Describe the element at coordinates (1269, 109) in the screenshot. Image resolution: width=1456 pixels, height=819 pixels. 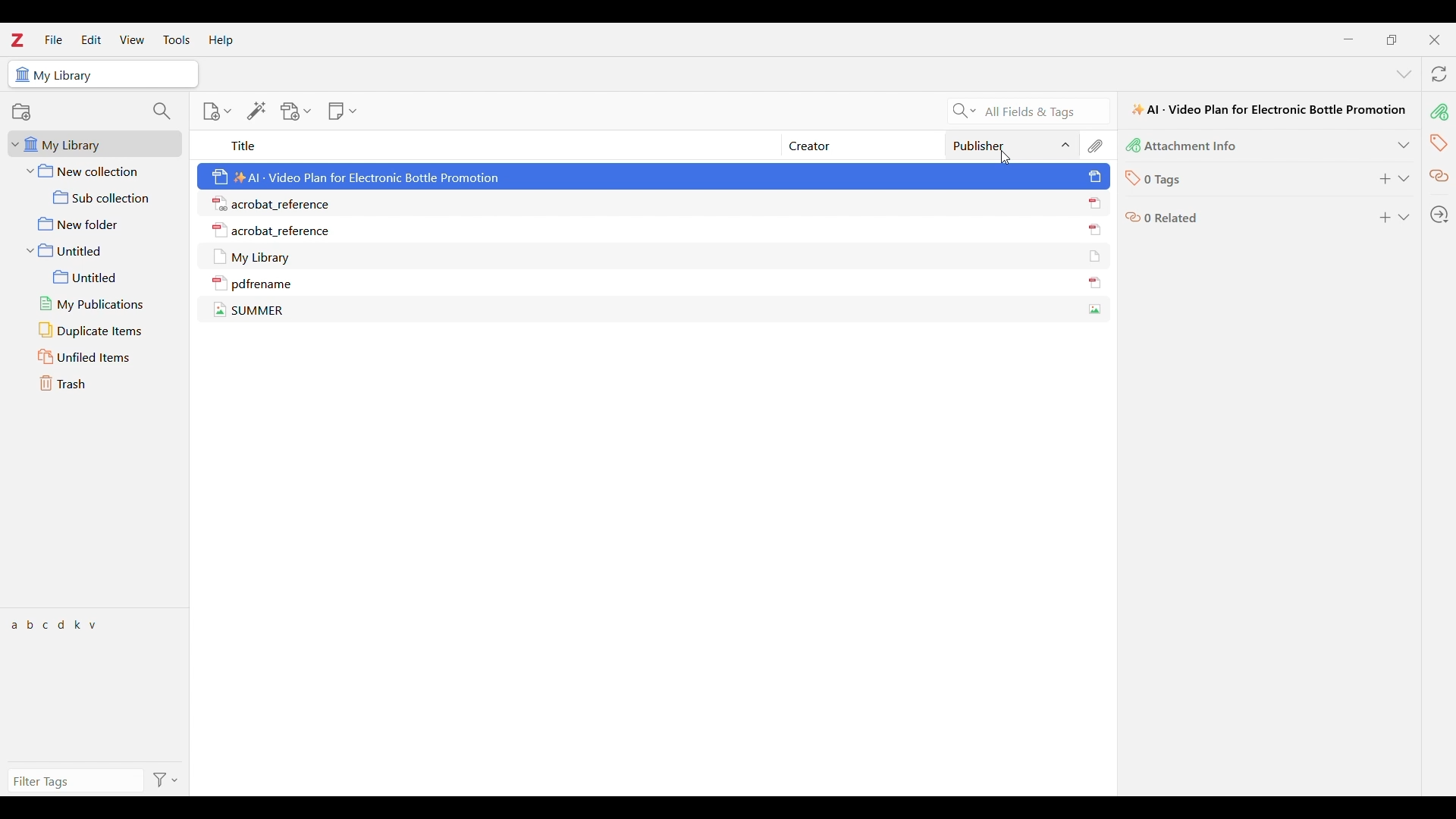
I see `Al - Video Plan for Electronic Bottle Promotion` at that location.